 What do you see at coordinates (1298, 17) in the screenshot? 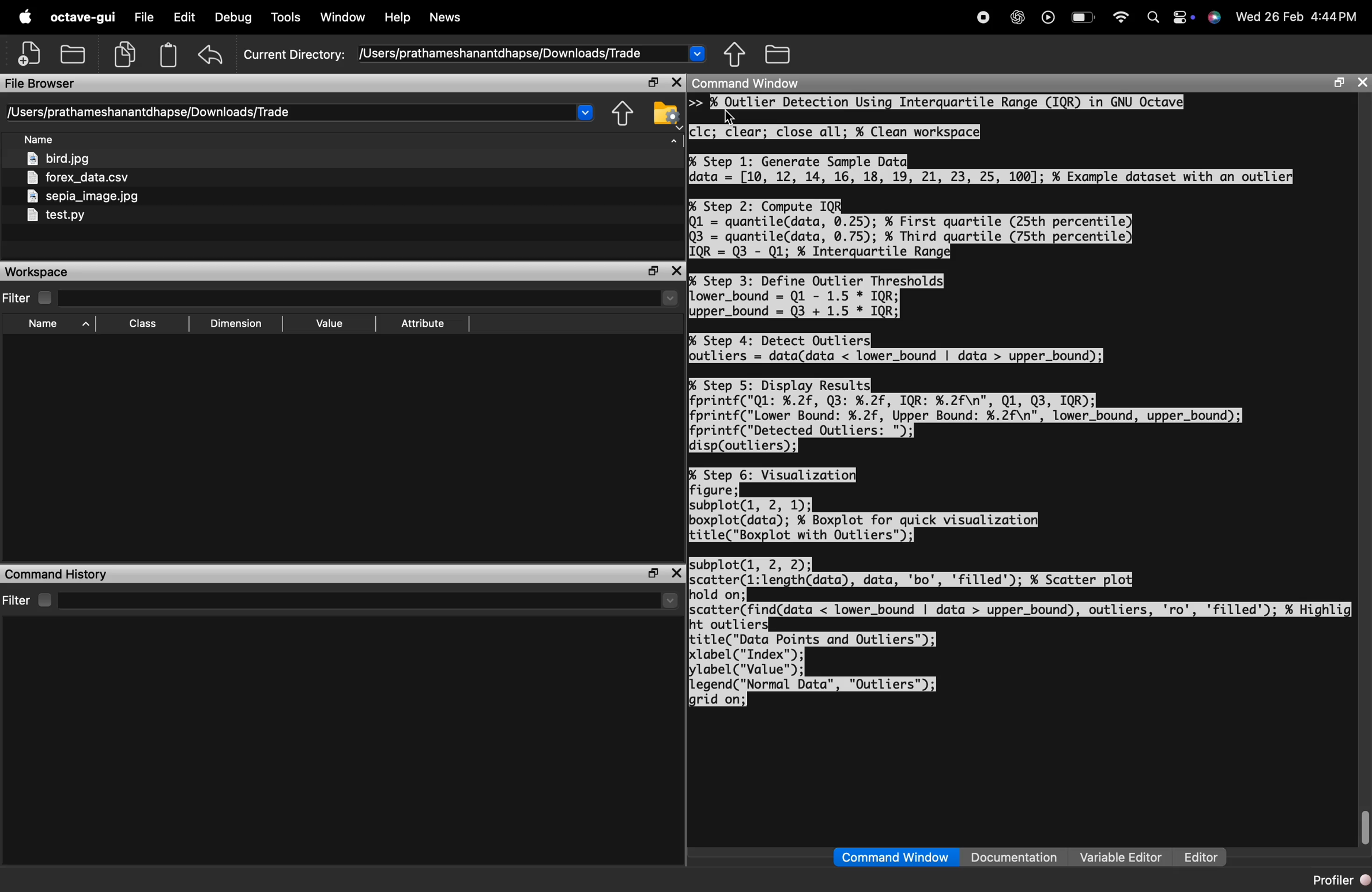
I see `Wed 26 Feb 4:44PM` at bounding box center [1298, 17].